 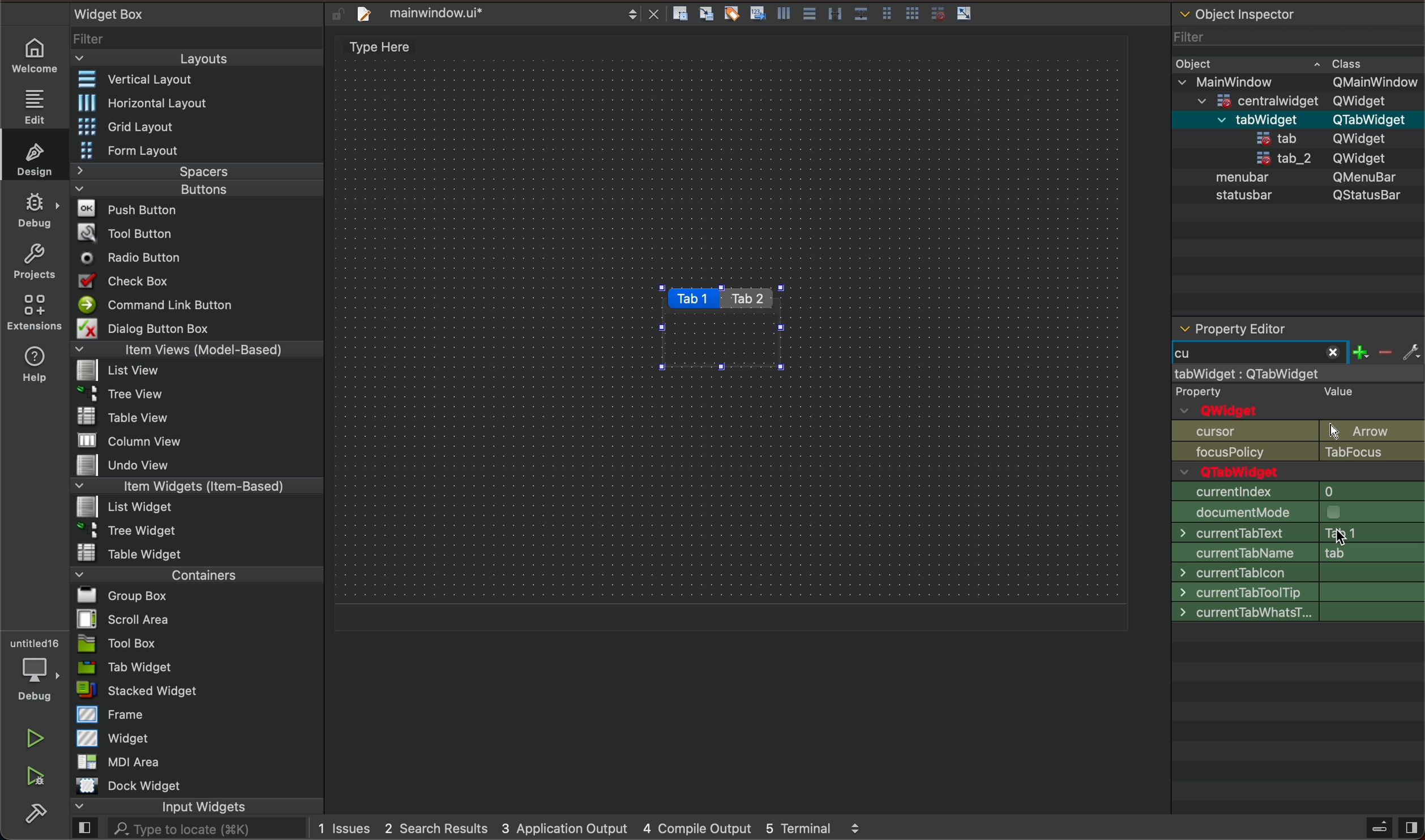 What do you see at coordinates (196, 188) in the screenshot?
I see `Buttons` at bounding box center [196, 188].